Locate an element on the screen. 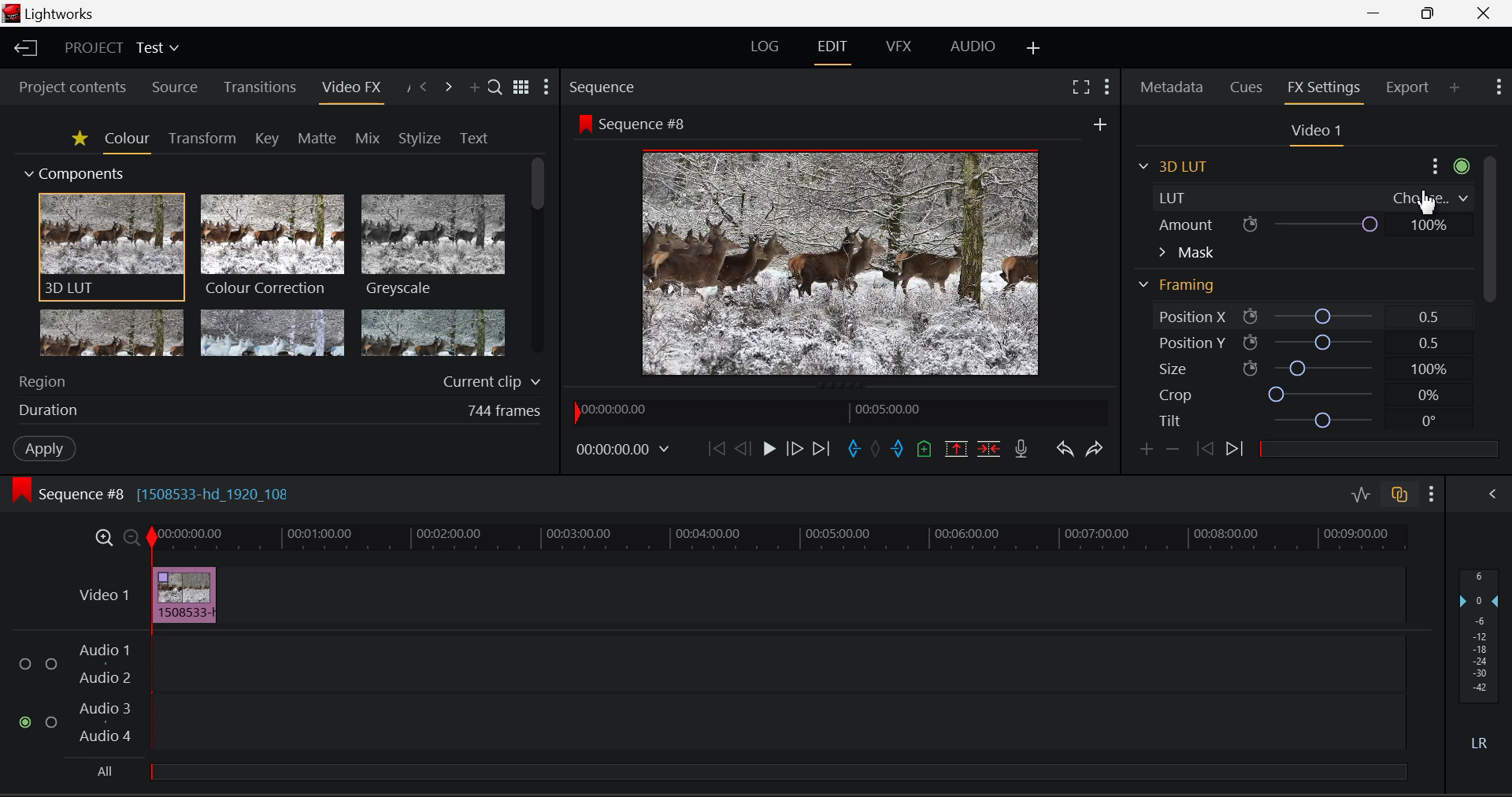  Amount is located at coordinates (1315, 224).